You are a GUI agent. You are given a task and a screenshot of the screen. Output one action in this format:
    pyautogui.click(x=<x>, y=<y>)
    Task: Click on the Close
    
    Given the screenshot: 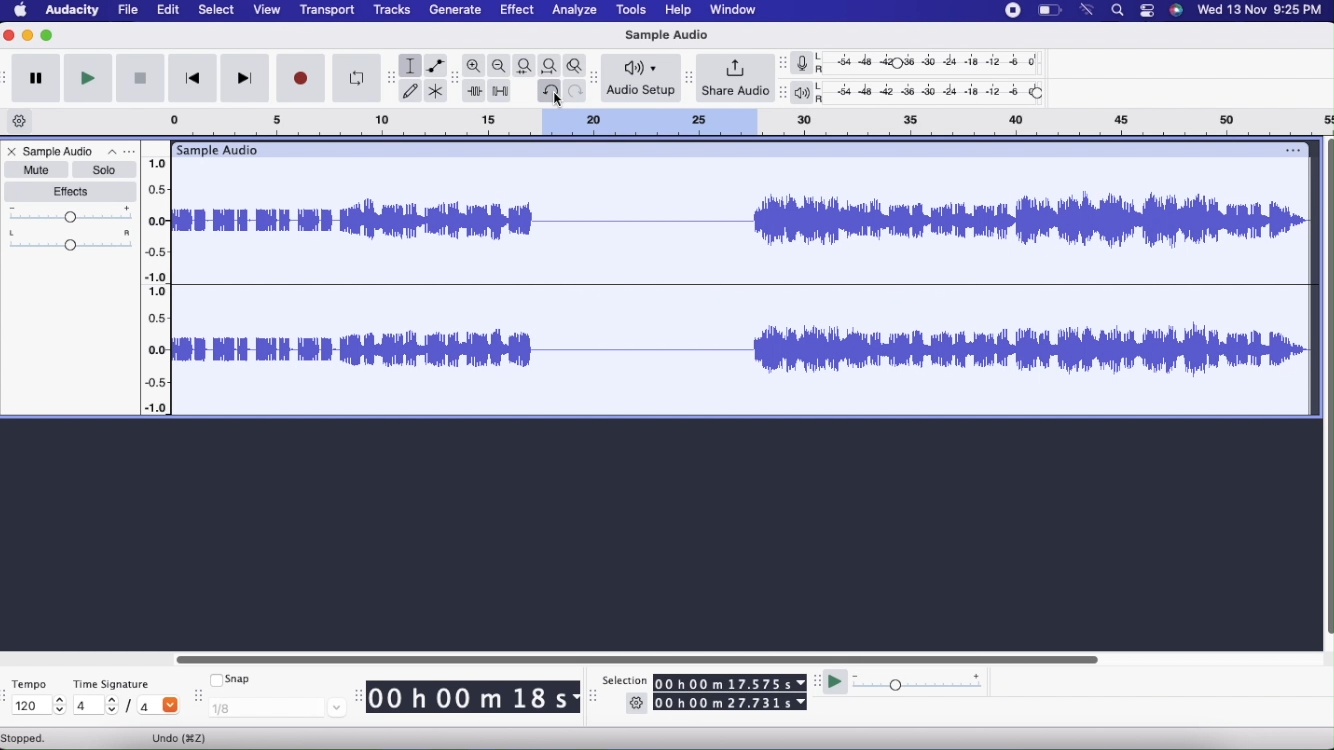 What is the action you would take?
    pyautogui.click(x=11, y=152)
    